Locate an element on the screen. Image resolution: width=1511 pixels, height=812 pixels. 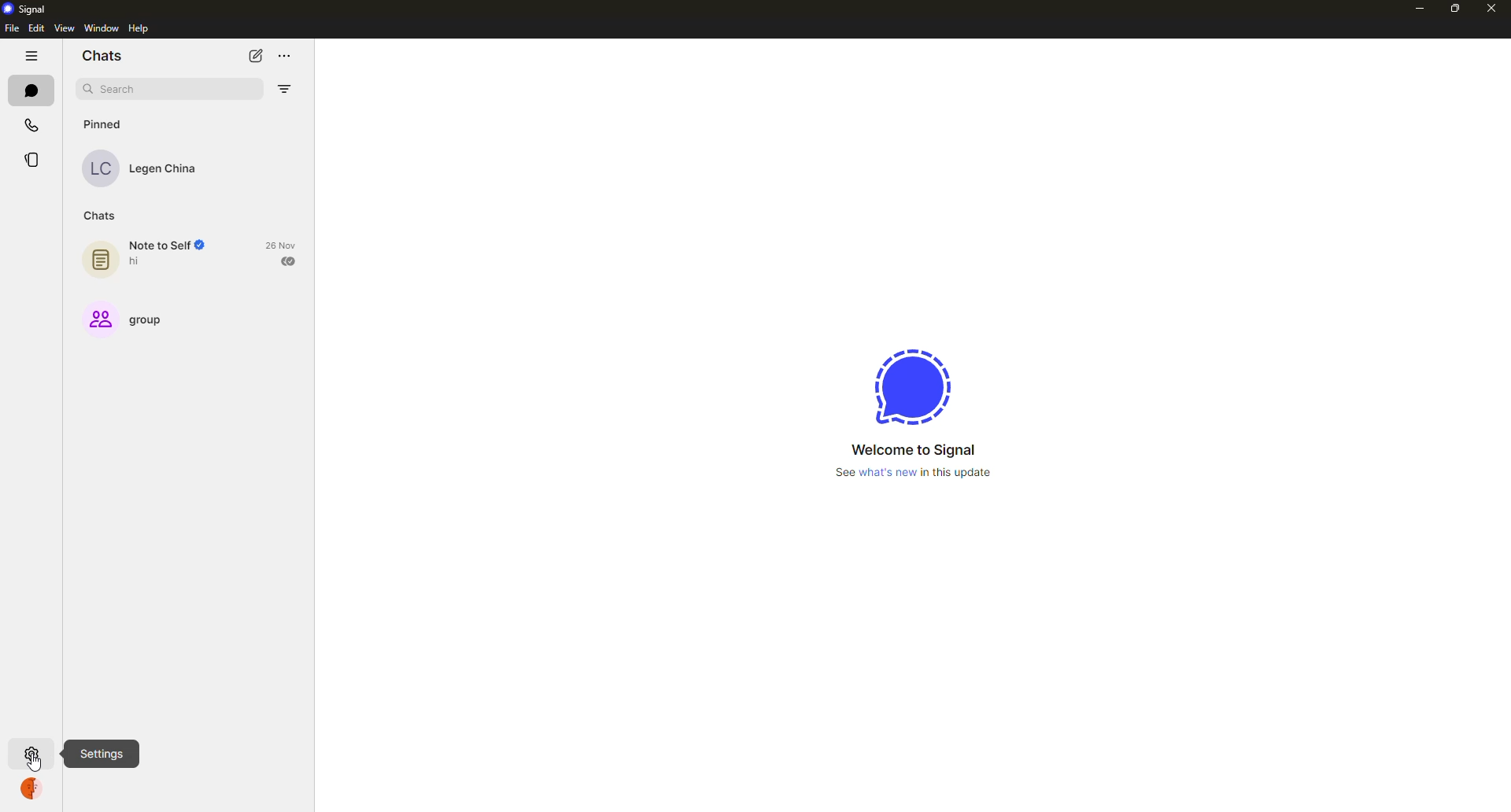
signal is located at coordinates (912, 386).